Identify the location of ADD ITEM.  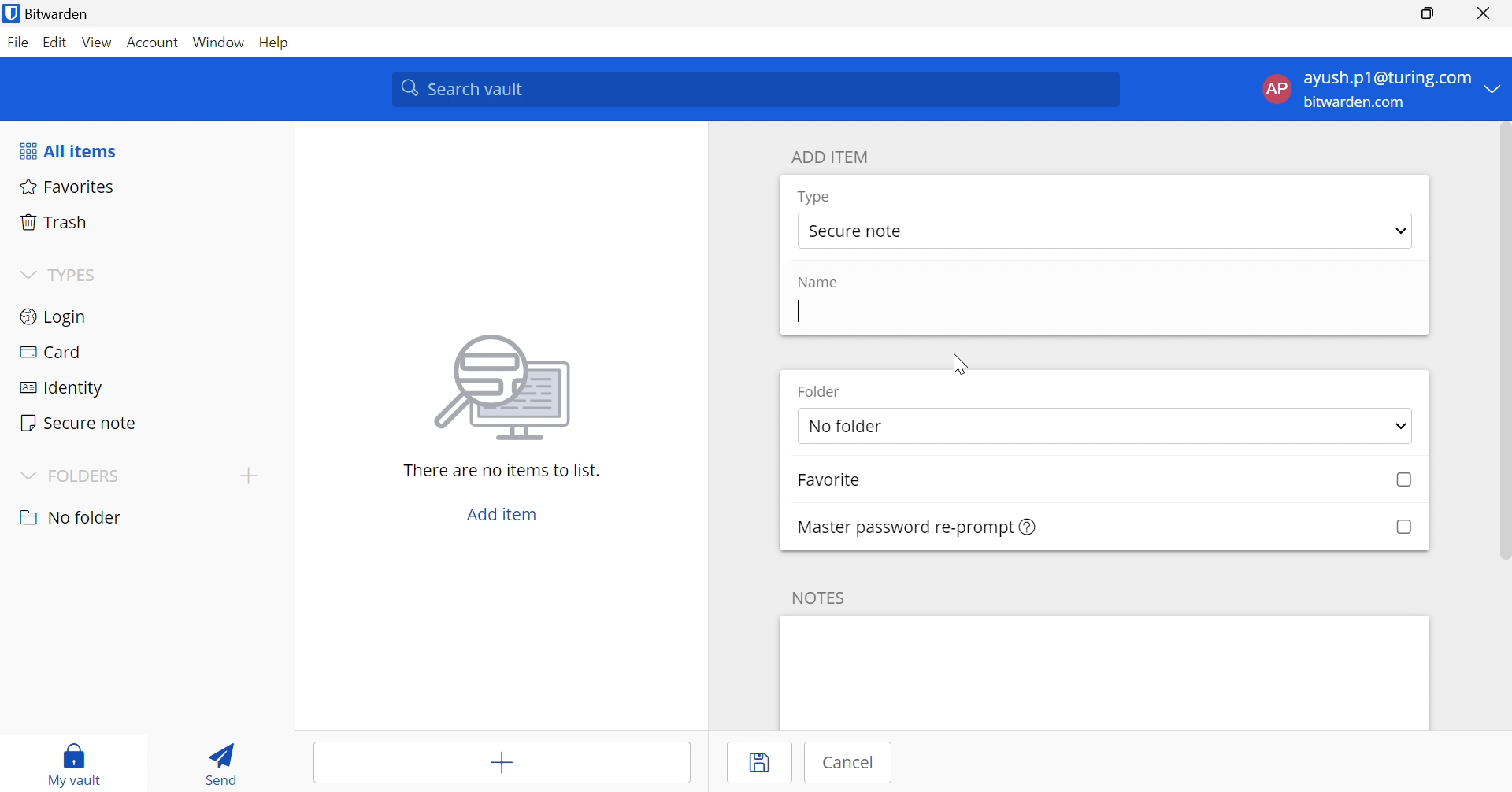
(830, 156).